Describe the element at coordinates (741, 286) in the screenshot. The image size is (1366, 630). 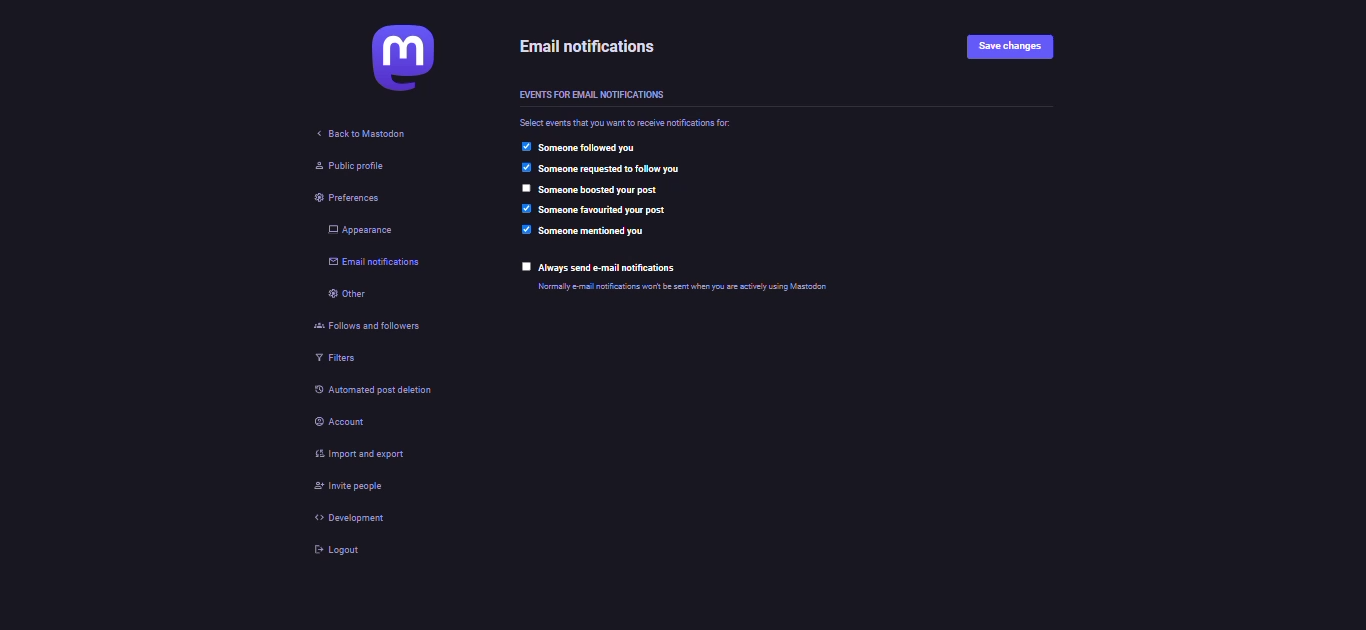
I see `info` at that location.